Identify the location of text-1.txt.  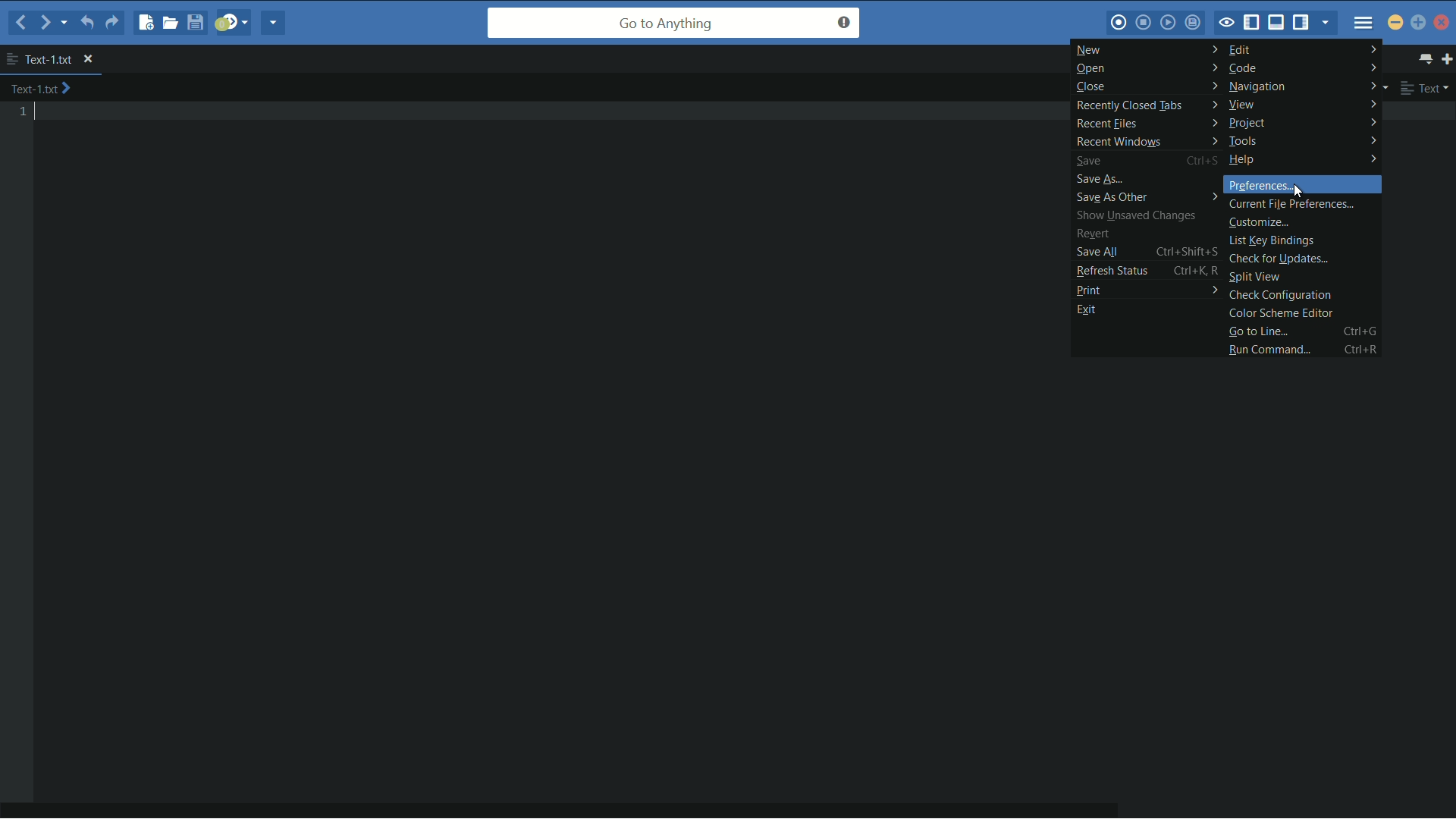
(39, 59).